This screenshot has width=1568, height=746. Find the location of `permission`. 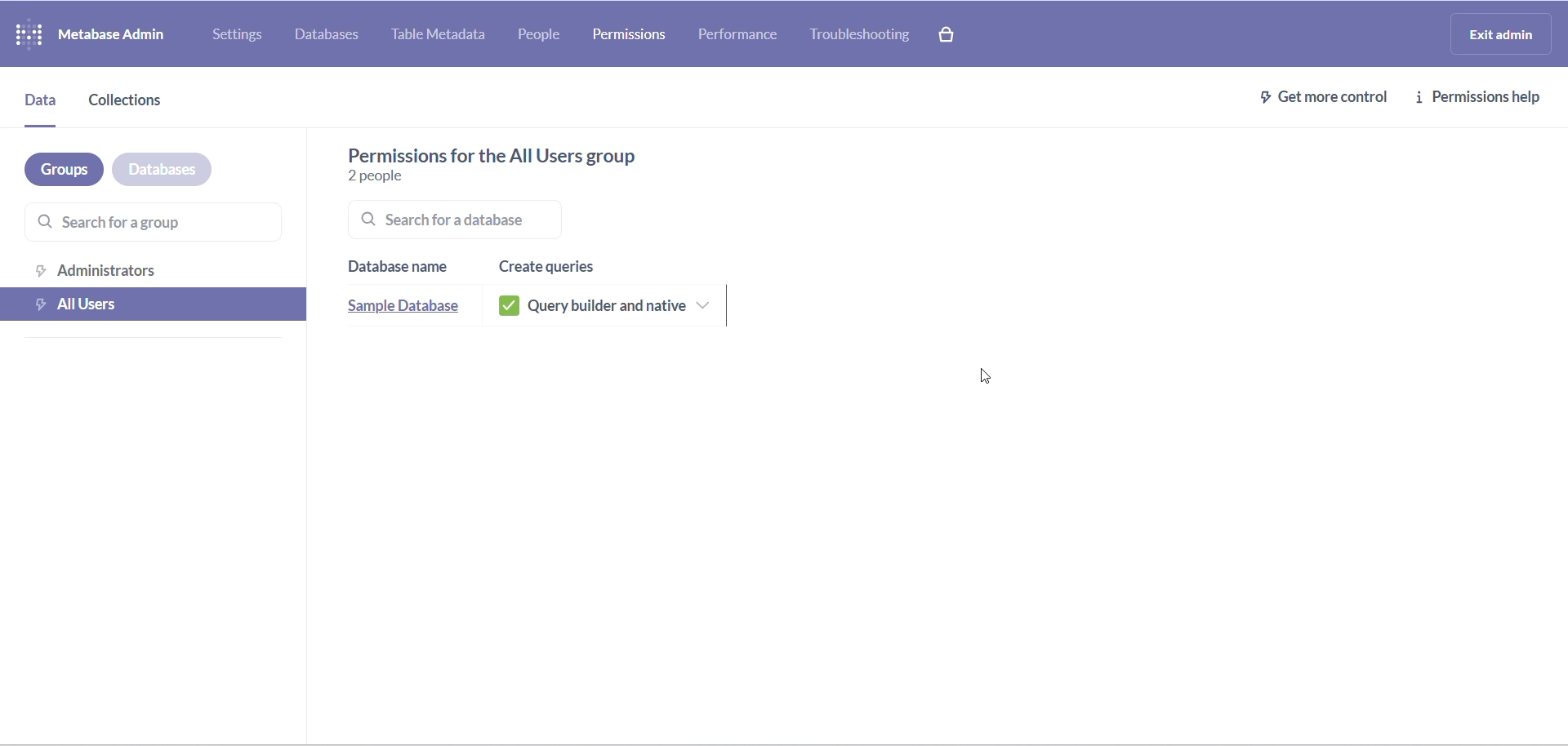

permission is located at coordinates (630, 33).